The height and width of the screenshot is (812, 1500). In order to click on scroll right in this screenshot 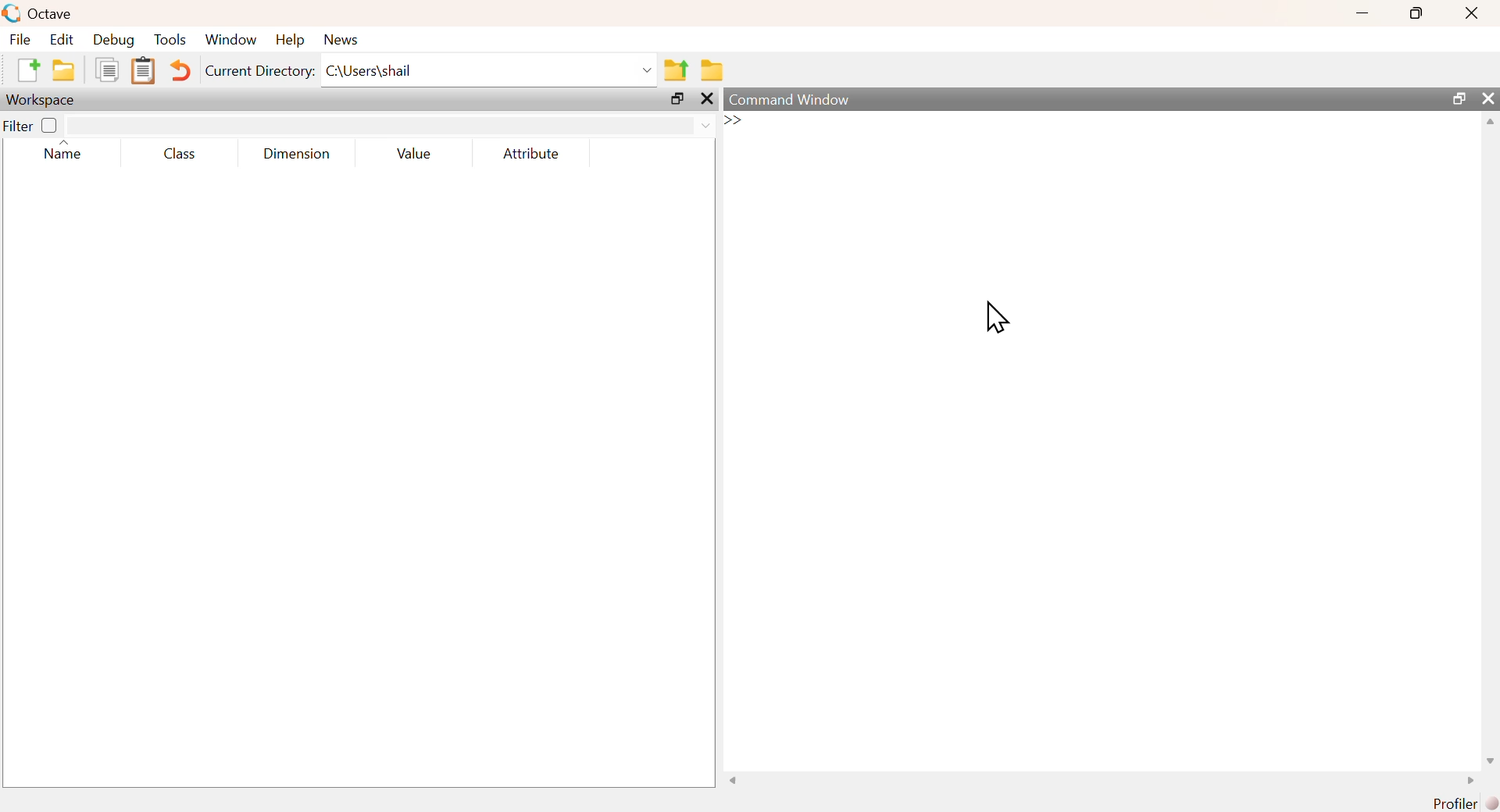, I will do `click(1466, 781)`.